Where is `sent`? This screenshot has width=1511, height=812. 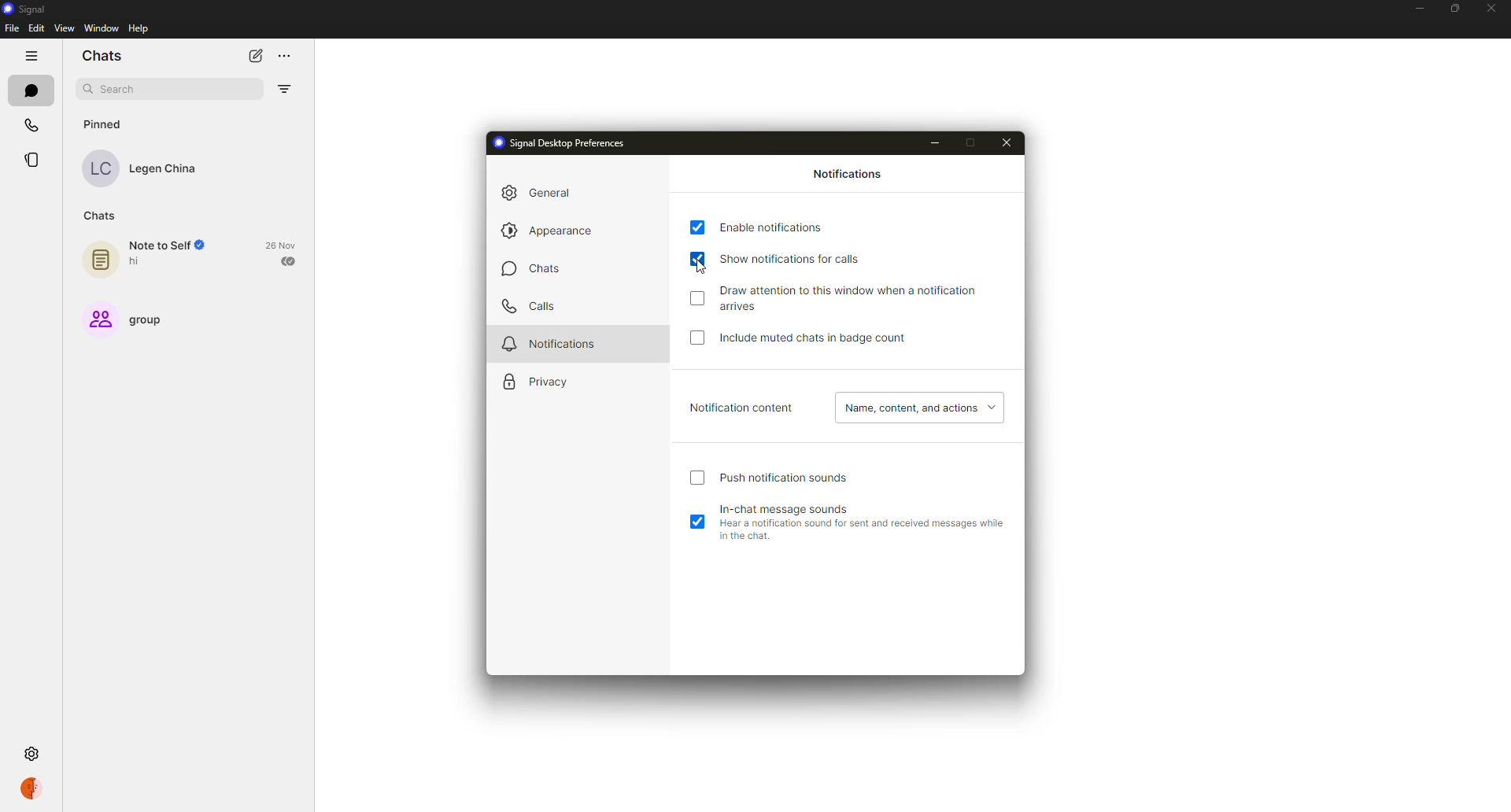 sent is located at coordinates (290, 262).